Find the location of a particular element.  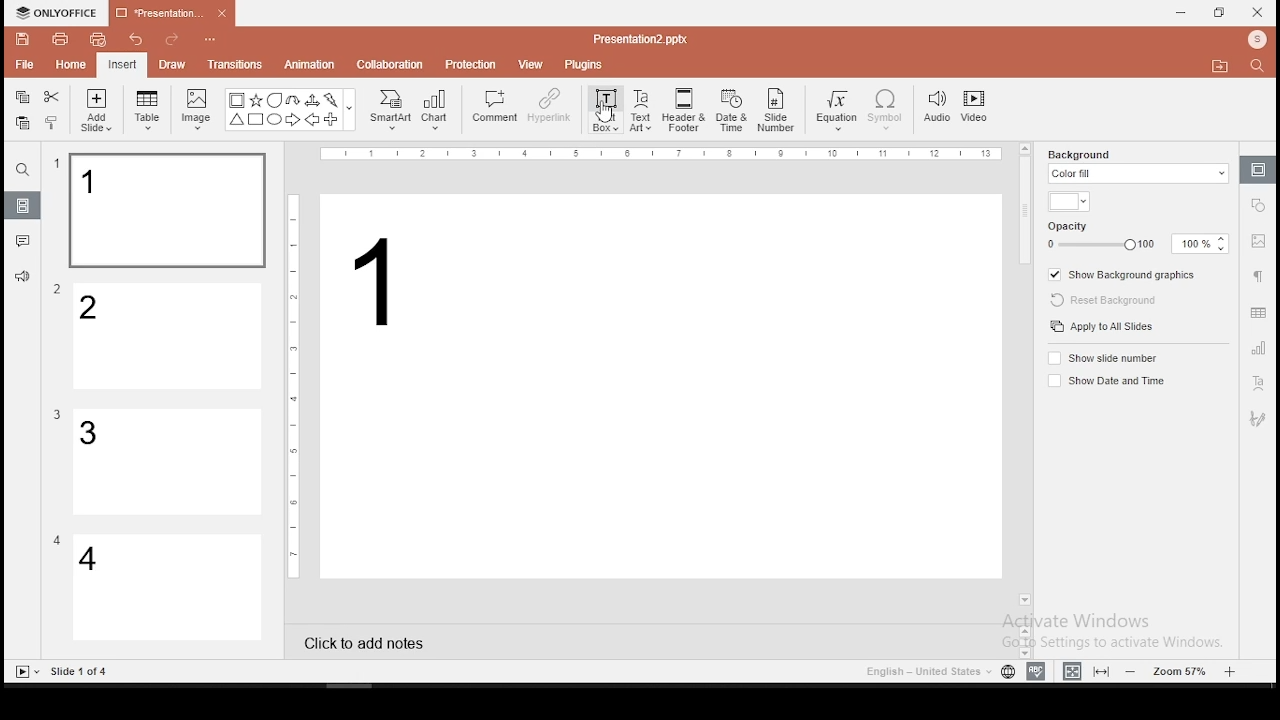

icon is located at coordinates (60, 13).